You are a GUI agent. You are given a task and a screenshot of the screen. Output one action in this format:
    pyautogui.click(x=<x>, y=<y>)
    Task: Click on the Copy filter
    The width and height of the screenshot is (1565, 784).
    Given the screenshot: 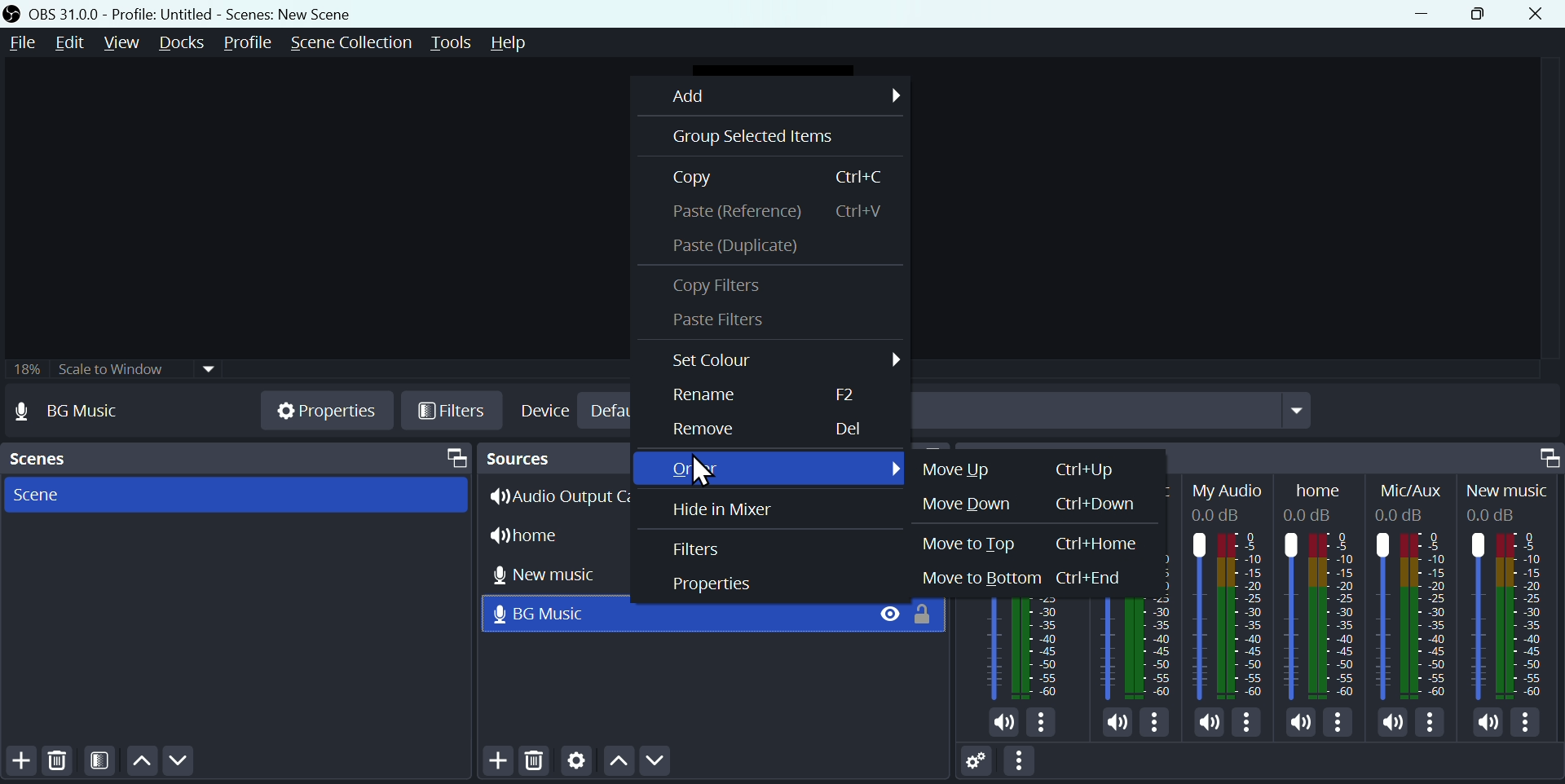 What is the action you would take?
    pyautogui.click(x=719, y=283)
    